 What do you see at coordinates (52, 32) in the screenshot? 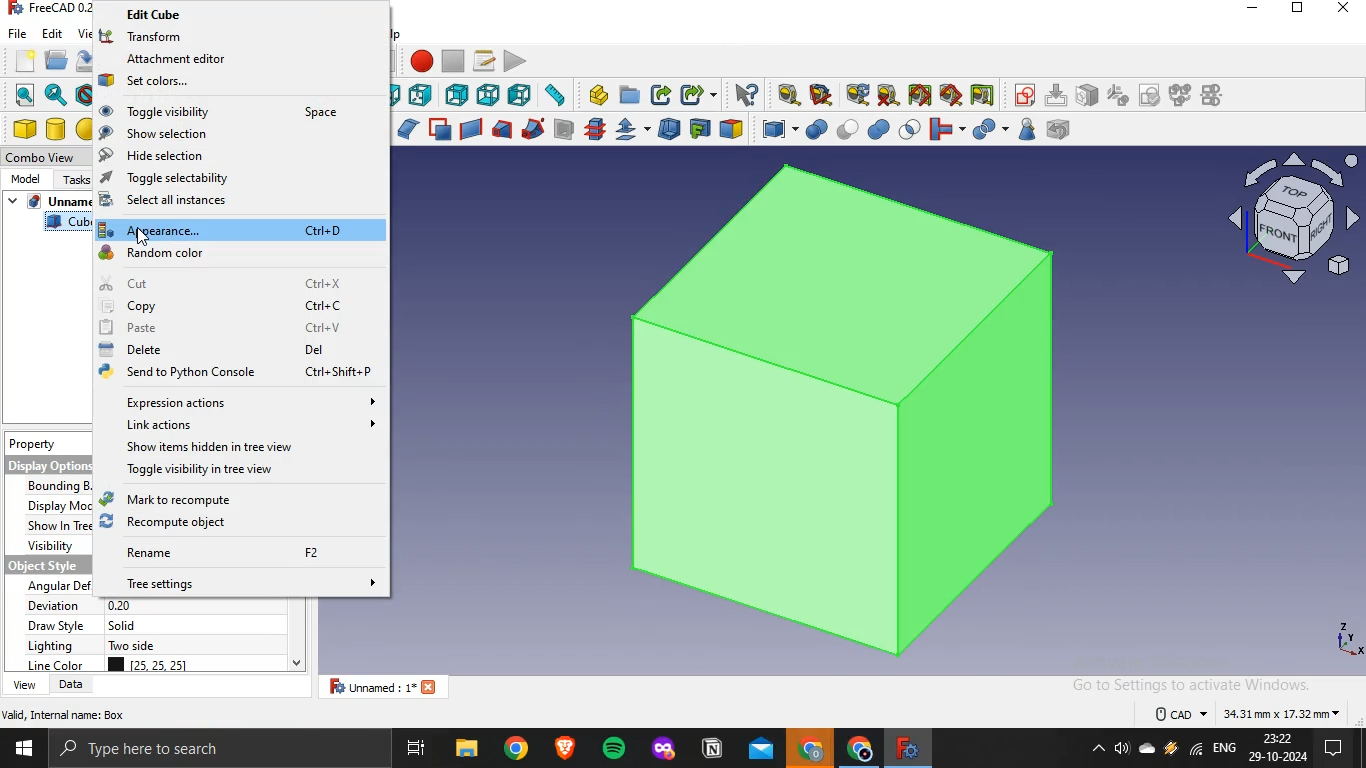
I see `edit` at bounding box center [52, 32].